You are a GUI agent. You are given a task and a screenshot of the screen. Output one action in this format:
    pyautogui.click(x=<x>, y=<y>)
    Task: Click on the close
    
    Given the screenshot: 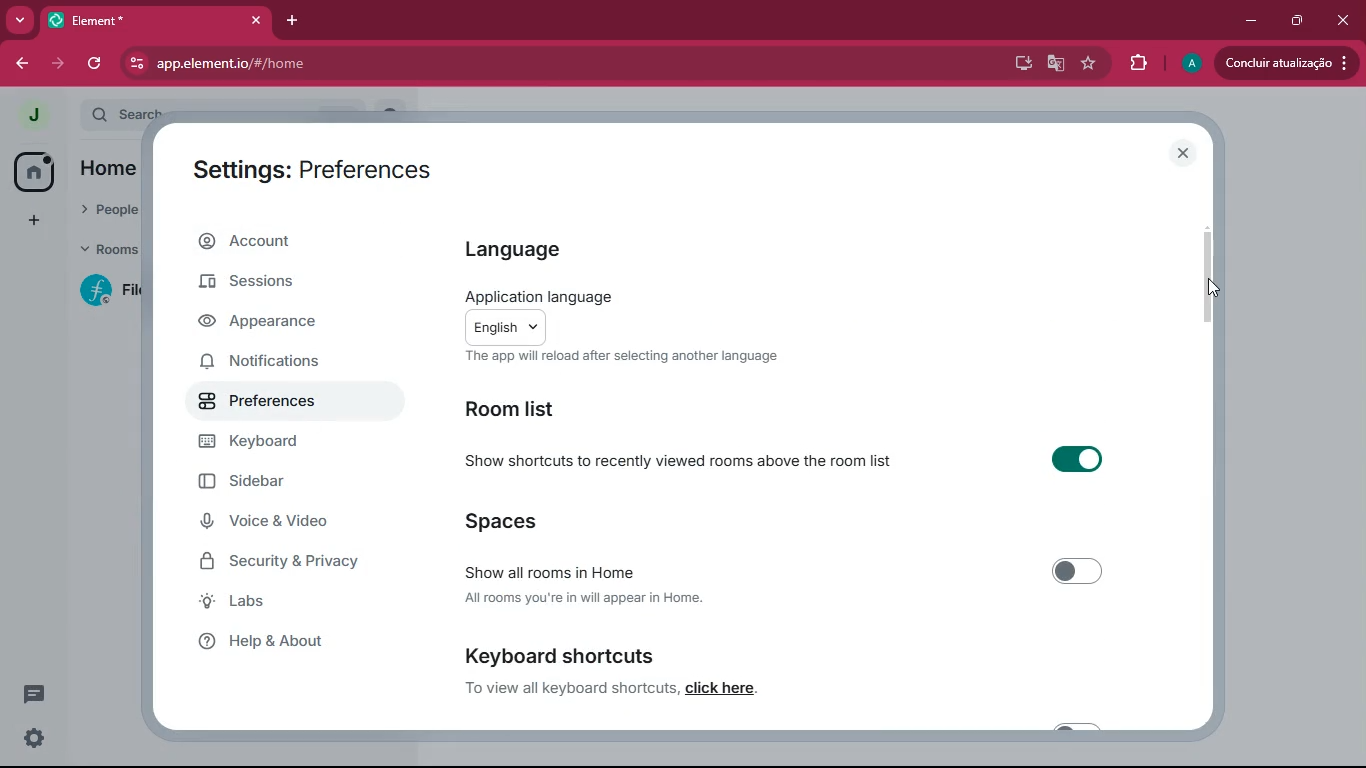 What is the action you would take?
    pyautogui.click(x=1343, y=21)
    